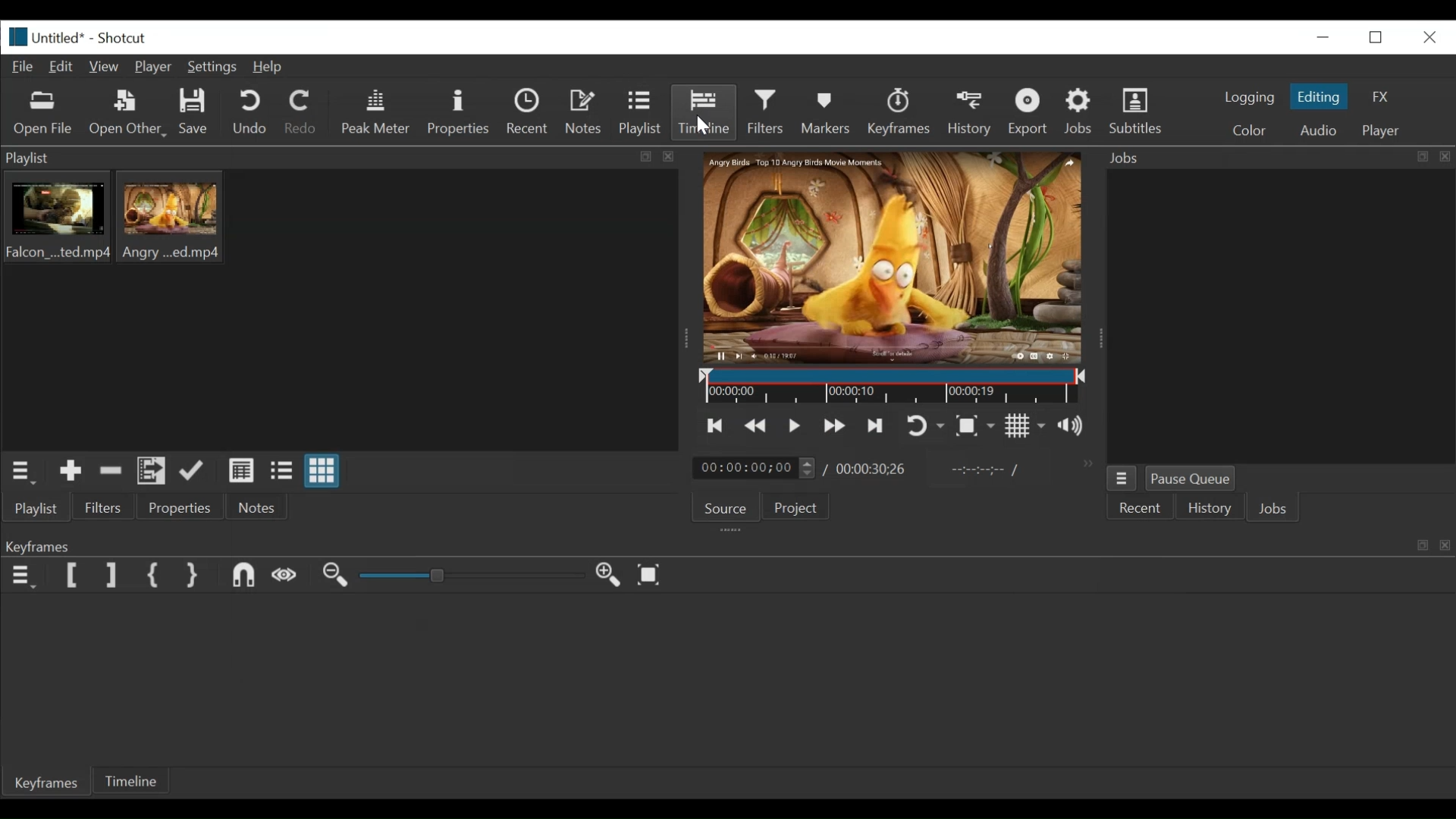 The width and height of the screenshot is (1456, 819). What do you see at coordinates (320, 472) in the screenshot?
I see `view as icons` at bounding box center [320, 472].